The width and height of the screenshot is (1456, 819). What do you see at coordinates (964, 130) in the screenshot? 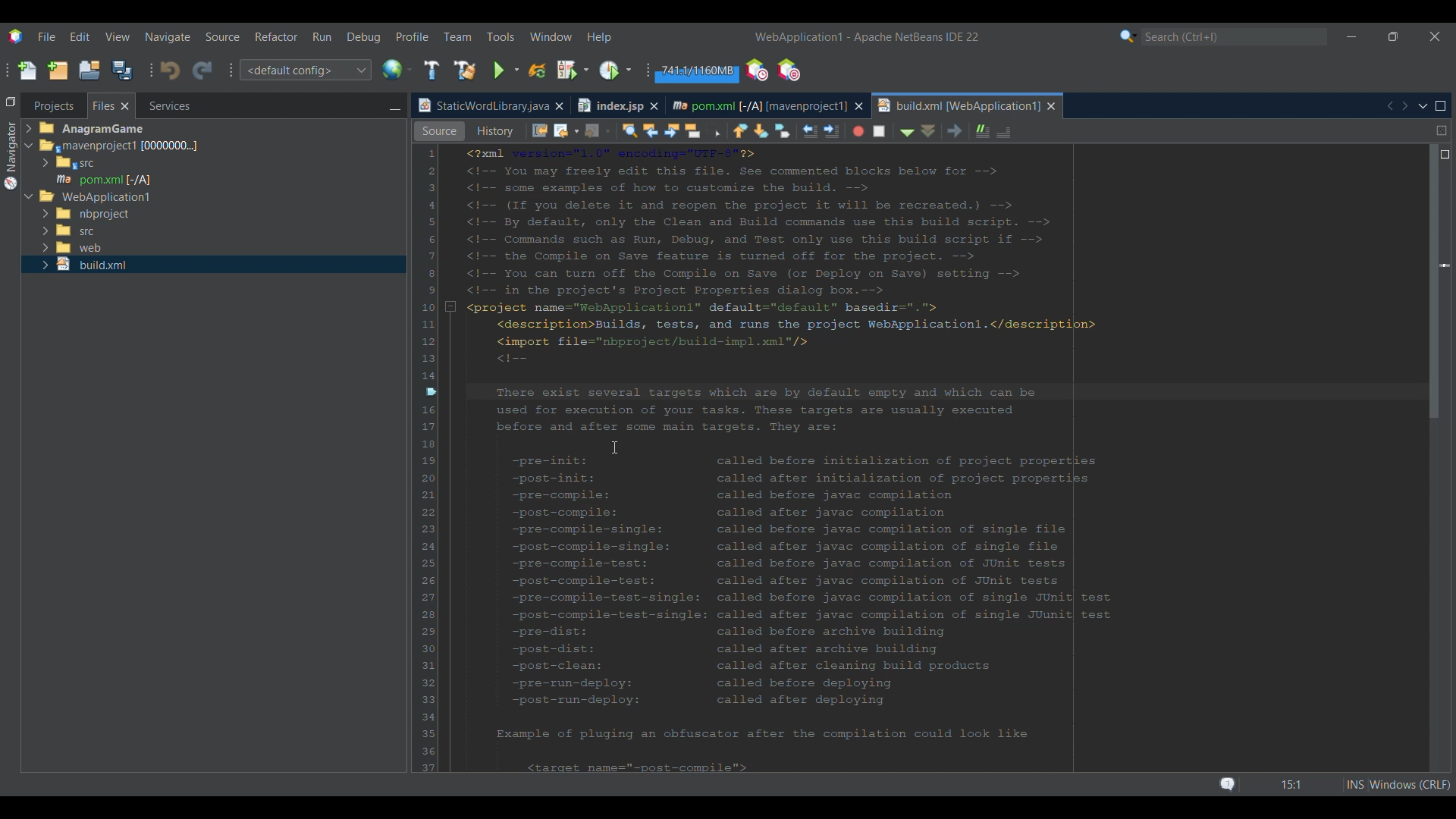
I see `Shift line right` at bounding box center [964, 130].